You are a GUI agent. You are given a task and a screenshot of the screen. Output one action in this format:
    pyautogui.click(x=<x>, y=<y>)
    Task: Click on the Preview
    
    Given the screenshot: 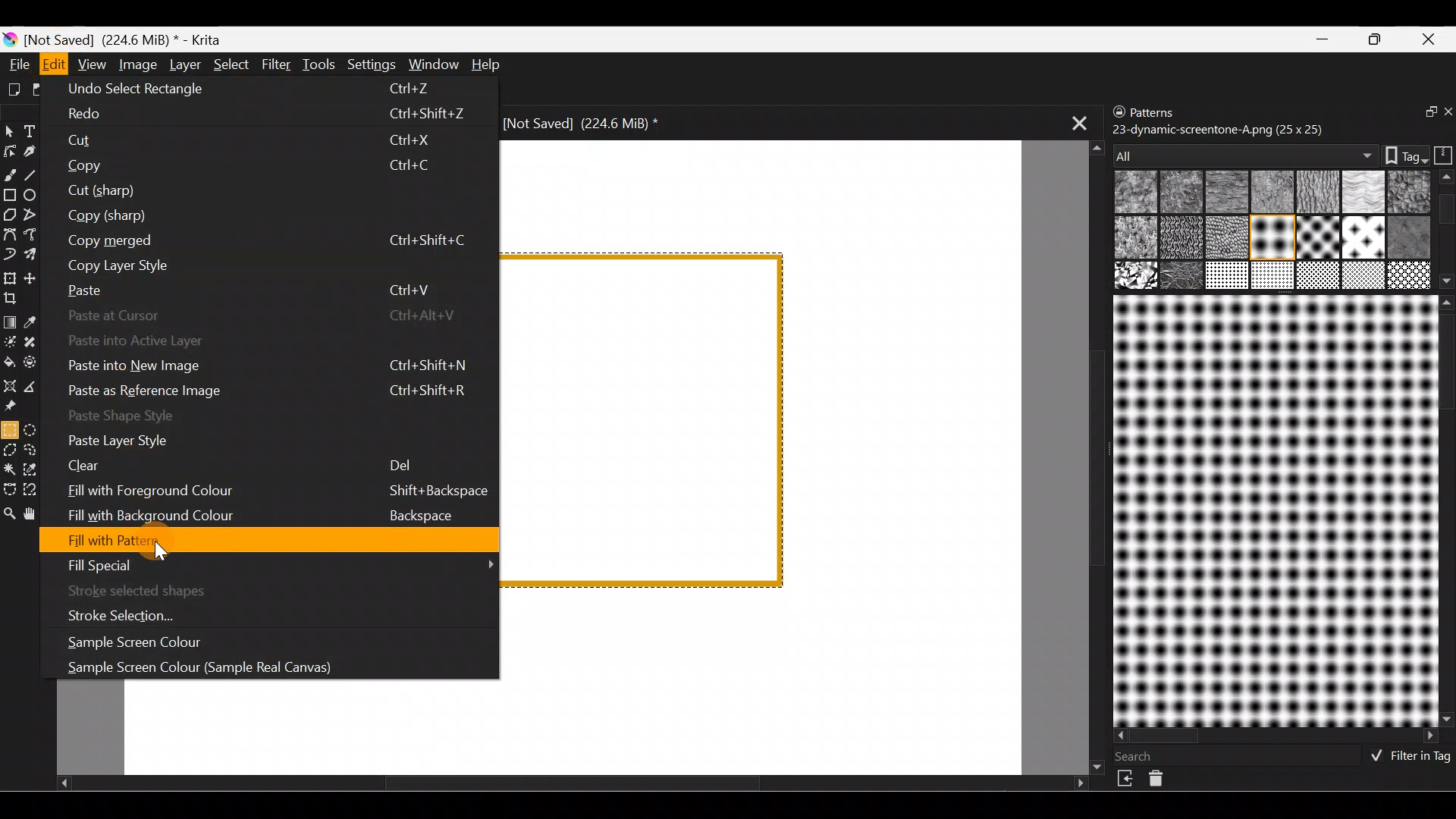 What is the action you would take?
    pyautogui.click(x=1272, y=510)
    